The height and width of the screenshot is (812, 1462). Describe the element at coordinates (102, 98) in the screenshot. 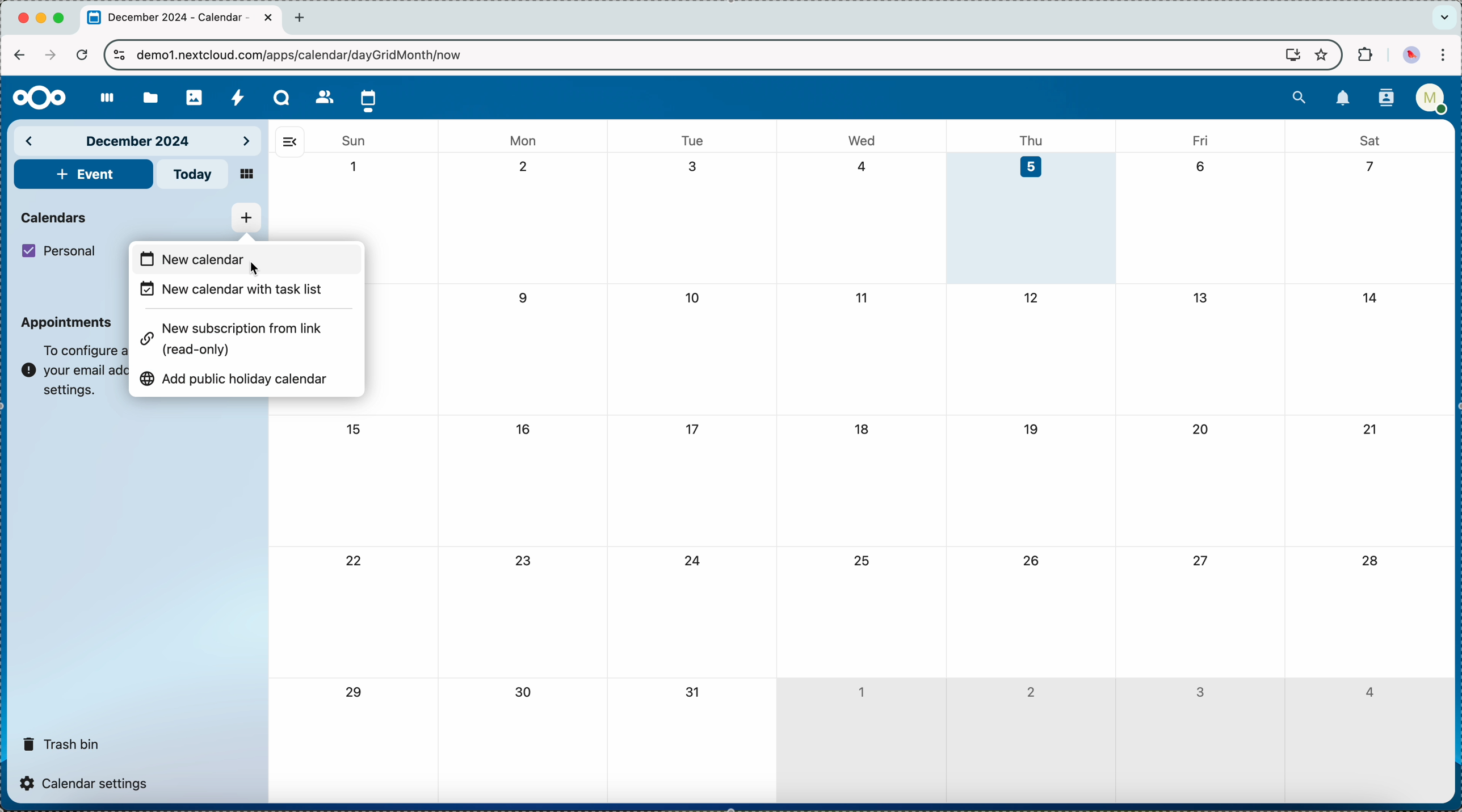

I see `dashboard` at that location.